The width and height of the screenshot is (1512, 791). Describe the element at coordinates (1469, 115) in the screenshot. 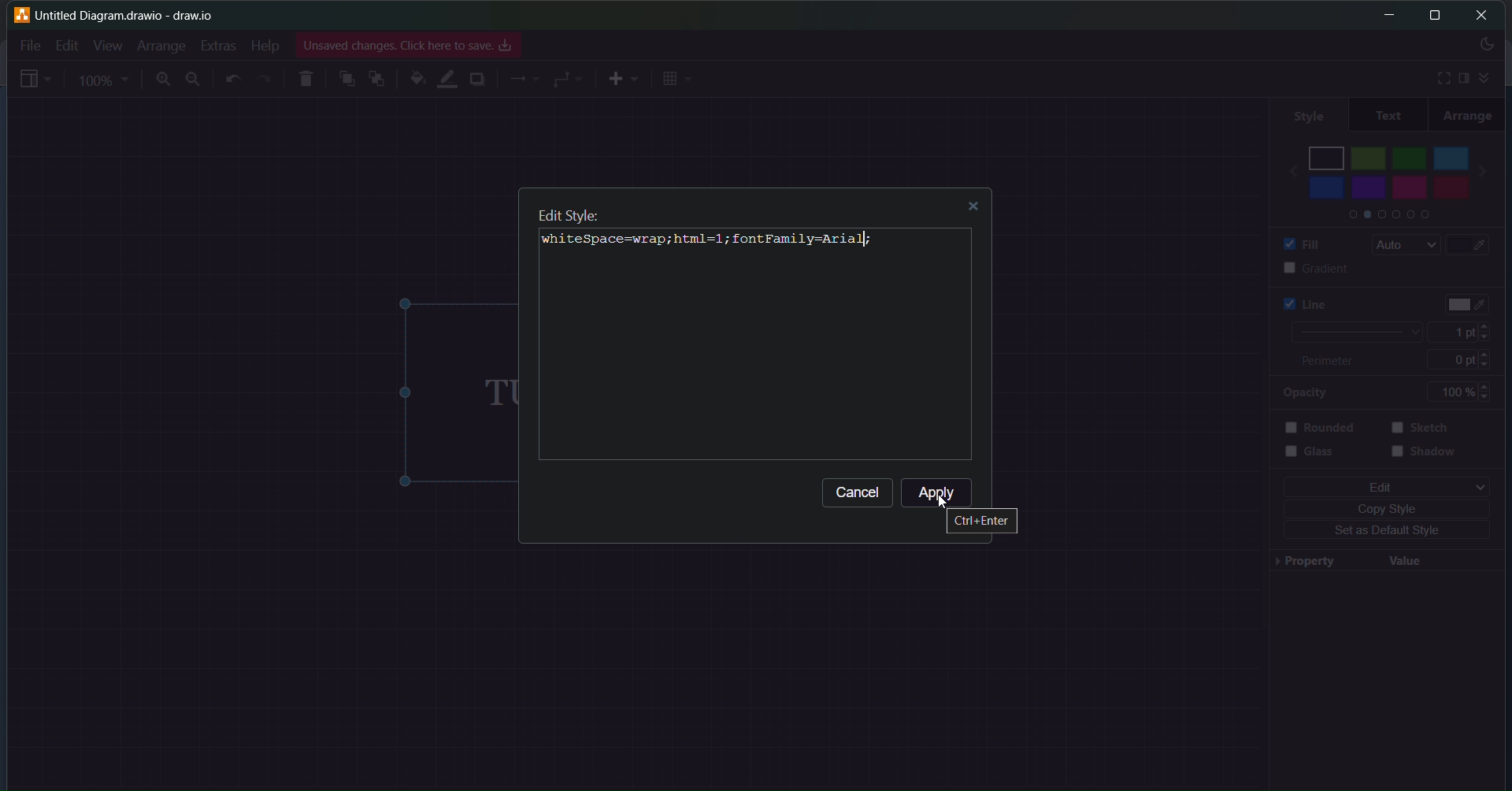

I see `arrange` at that location.